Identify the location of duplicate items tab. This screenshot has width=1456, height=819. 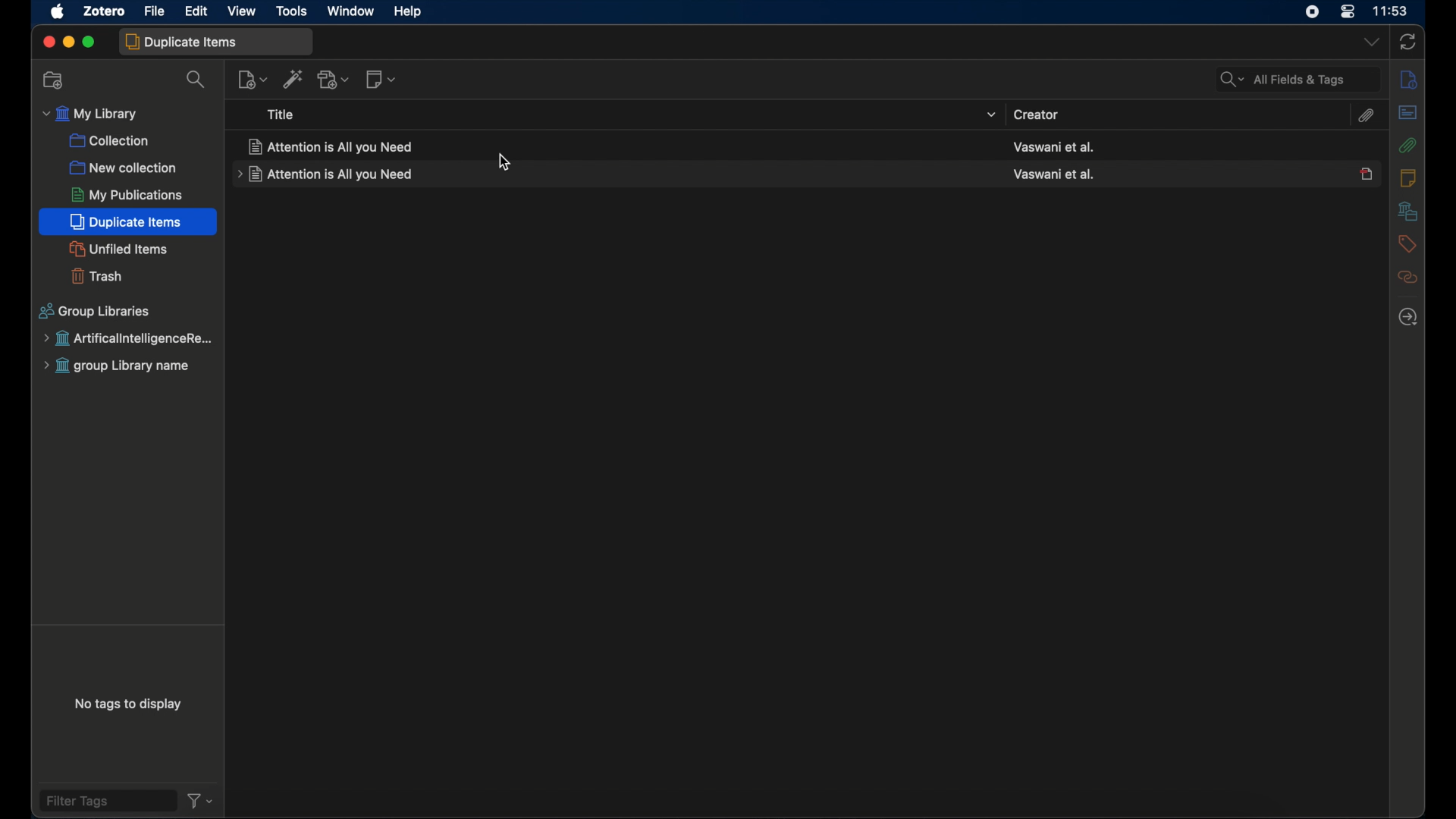
(215, 42).